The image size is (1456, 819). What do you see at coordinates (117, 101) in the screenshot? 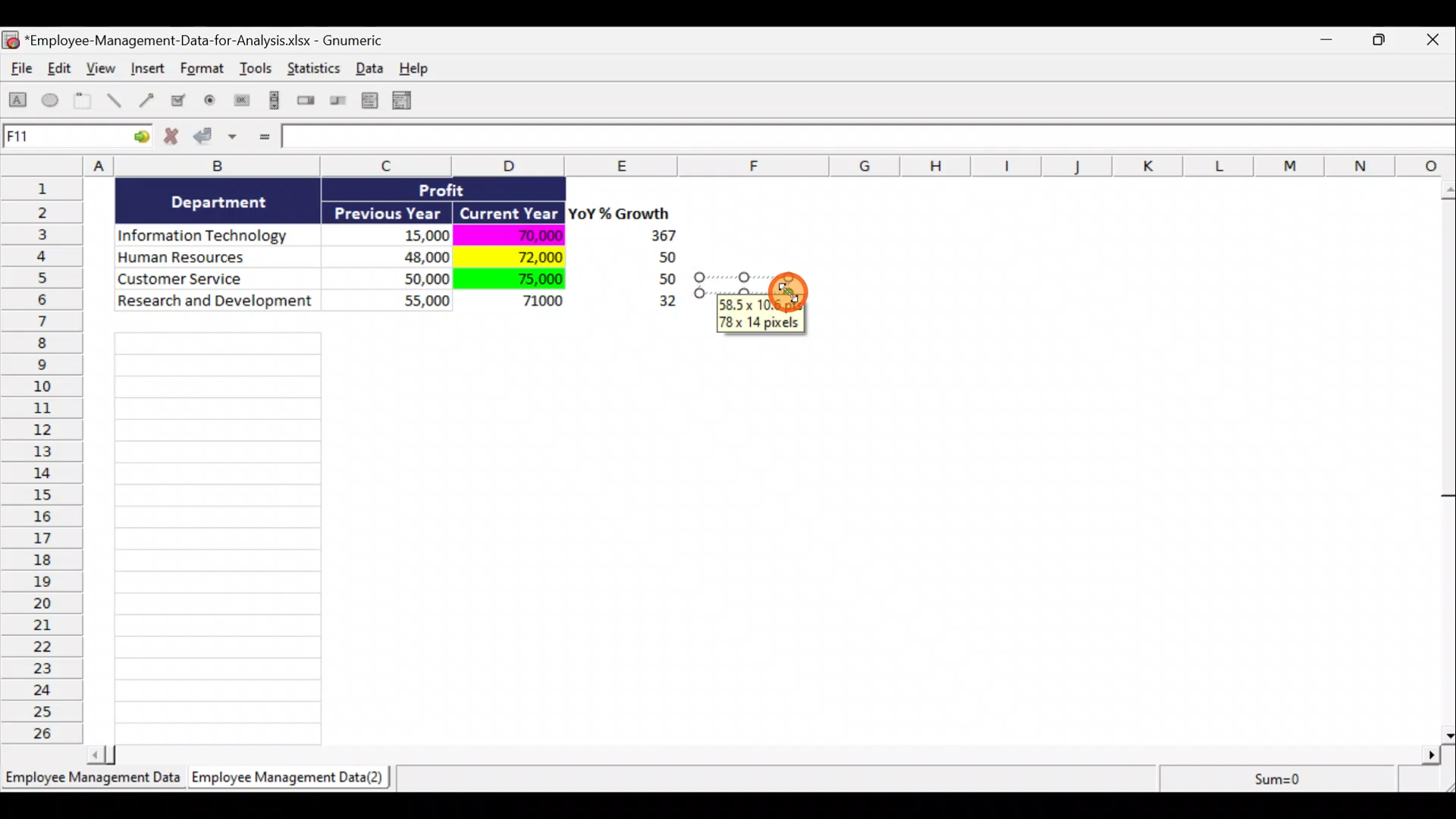
I see `Create a line object` at bounding box center [117, 101].